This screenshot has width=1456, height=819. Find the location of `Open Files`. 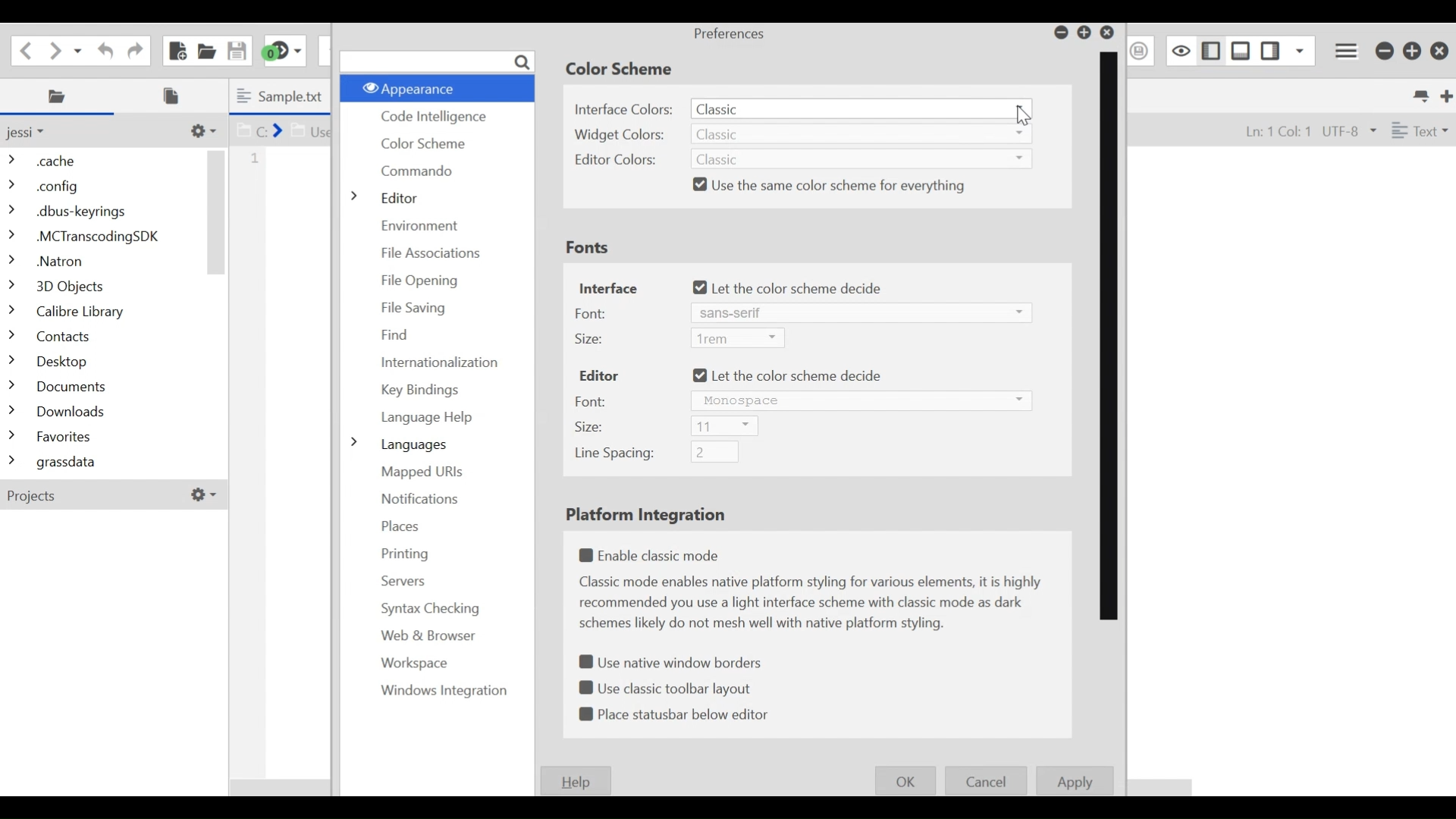

Open Files is located at coordinates (176, 96).